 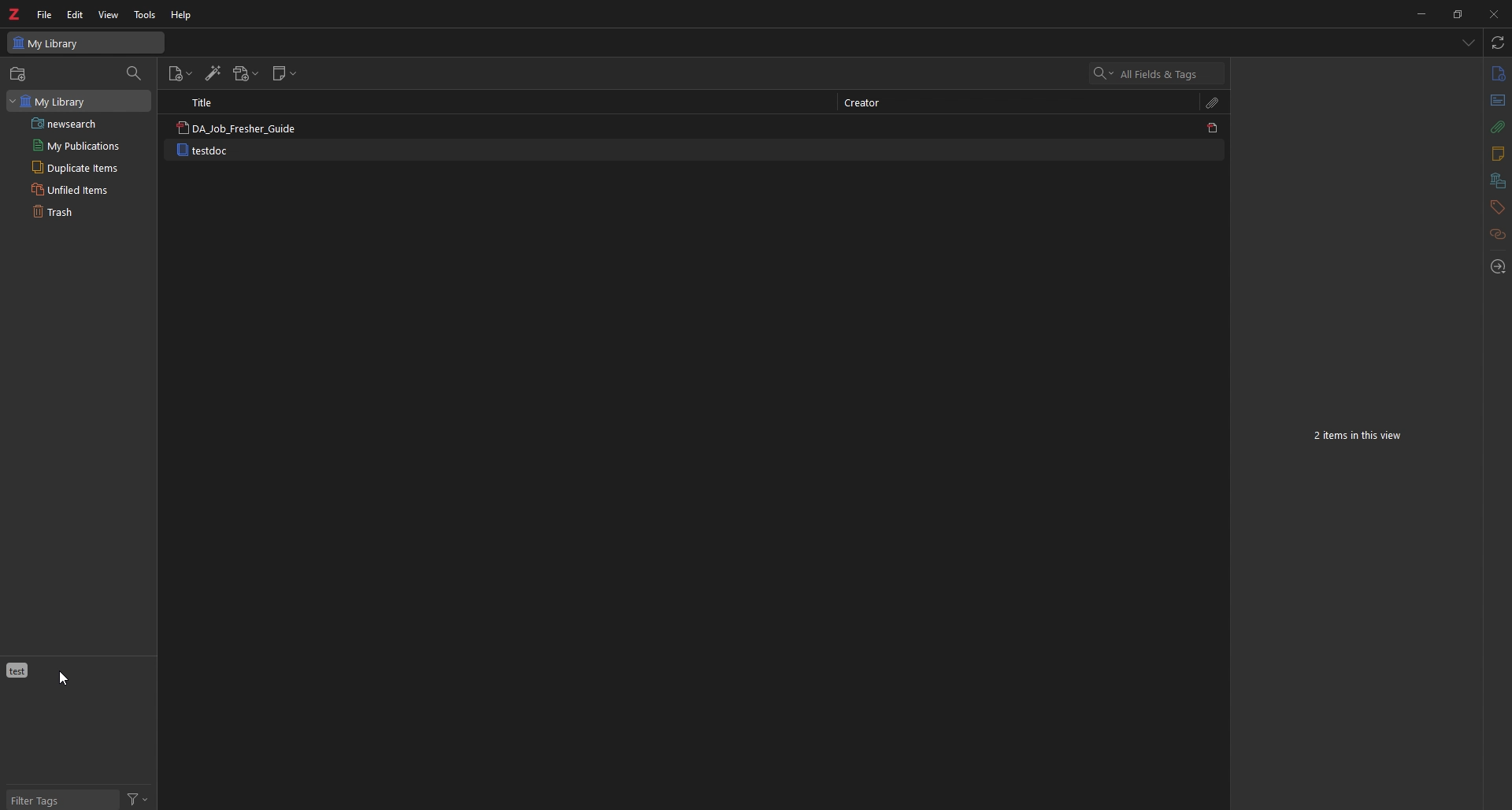 I want to click on minimize, so click(x=1421, y=13).